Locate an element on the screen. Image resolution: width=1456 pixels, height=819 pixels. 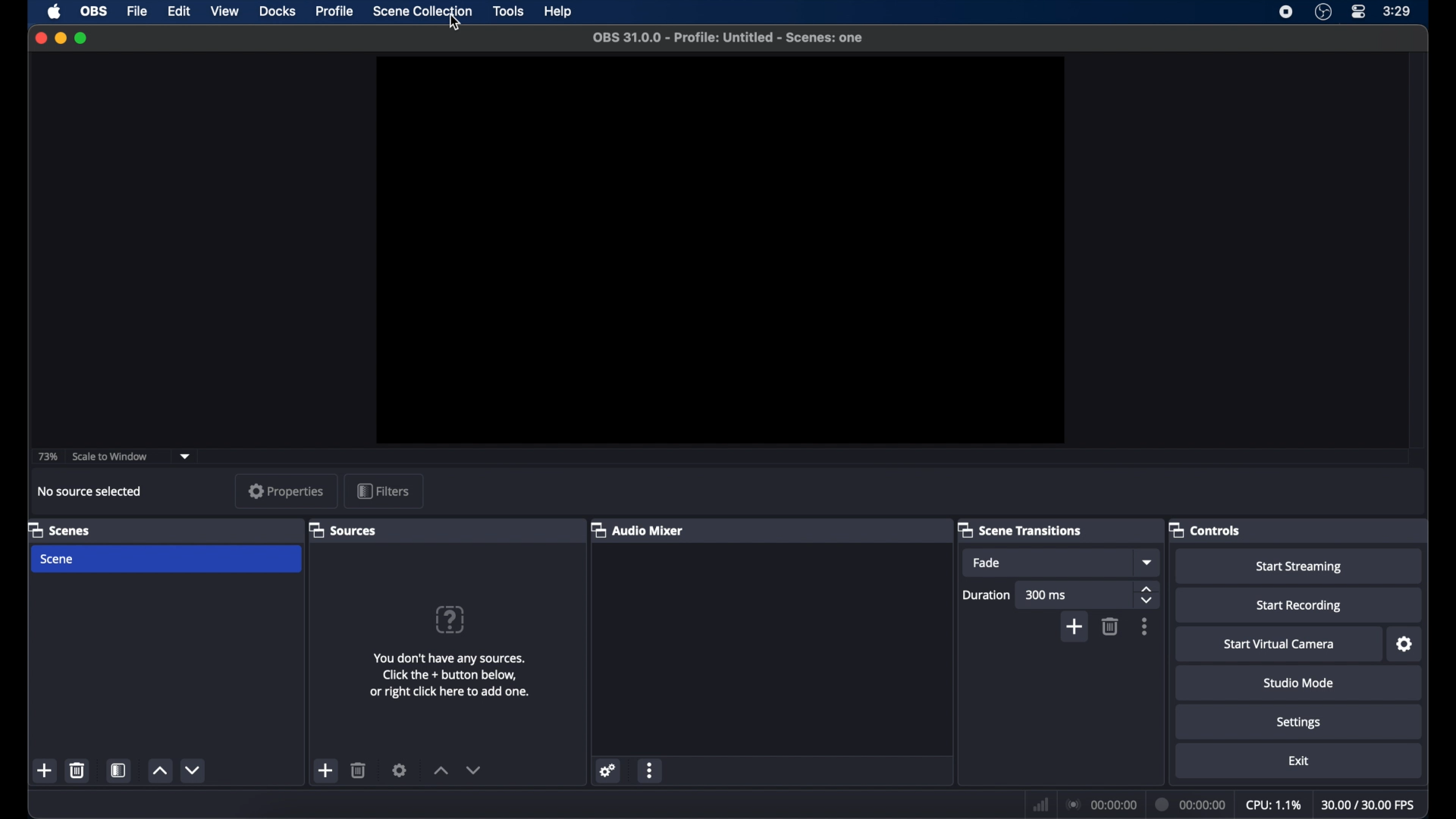
settings is located at coordinates (606, 770).